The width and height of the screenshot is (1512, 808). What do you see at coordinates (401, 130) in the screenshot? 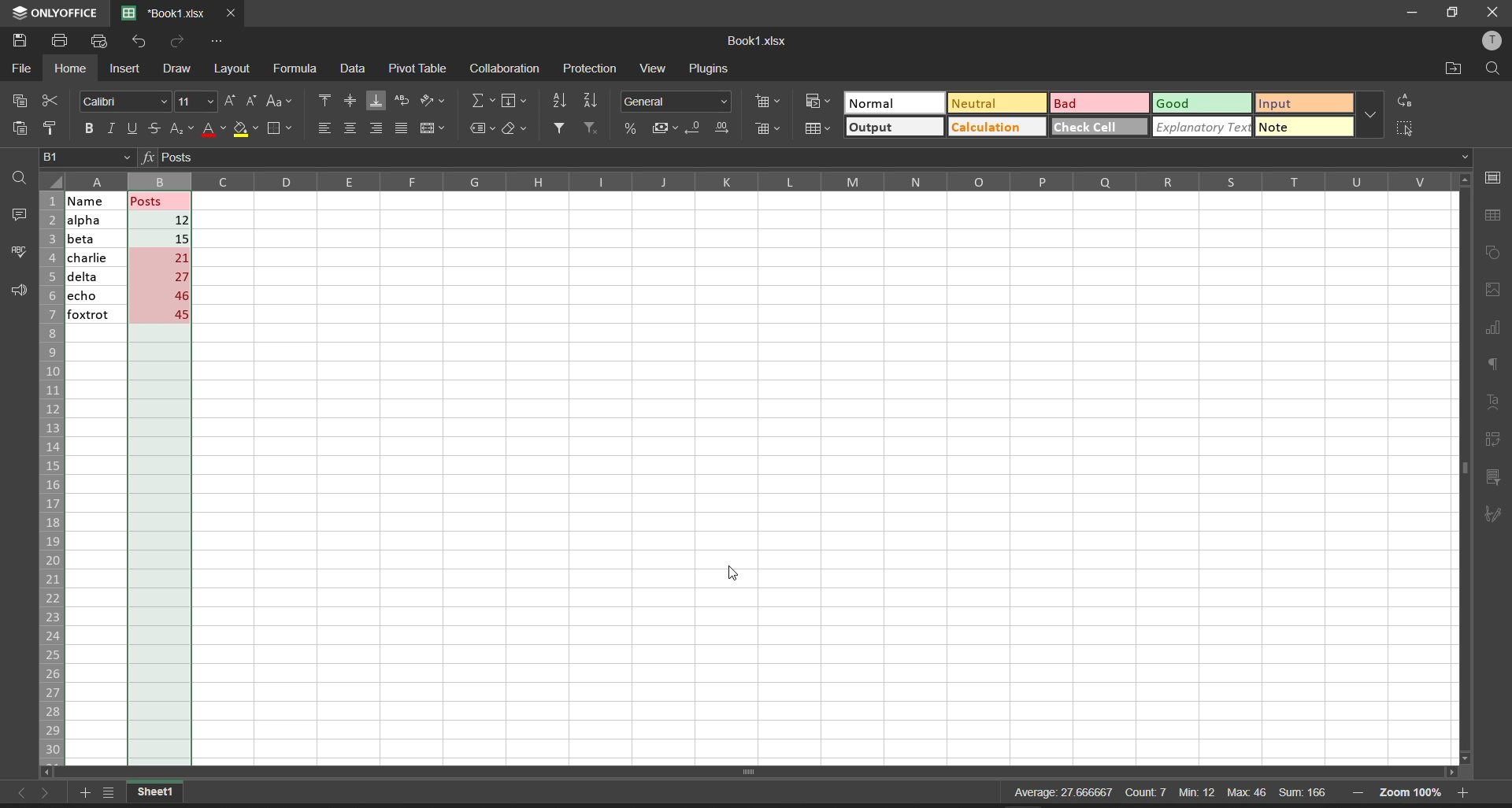
I see `justified` at bounding box center [401, 130].